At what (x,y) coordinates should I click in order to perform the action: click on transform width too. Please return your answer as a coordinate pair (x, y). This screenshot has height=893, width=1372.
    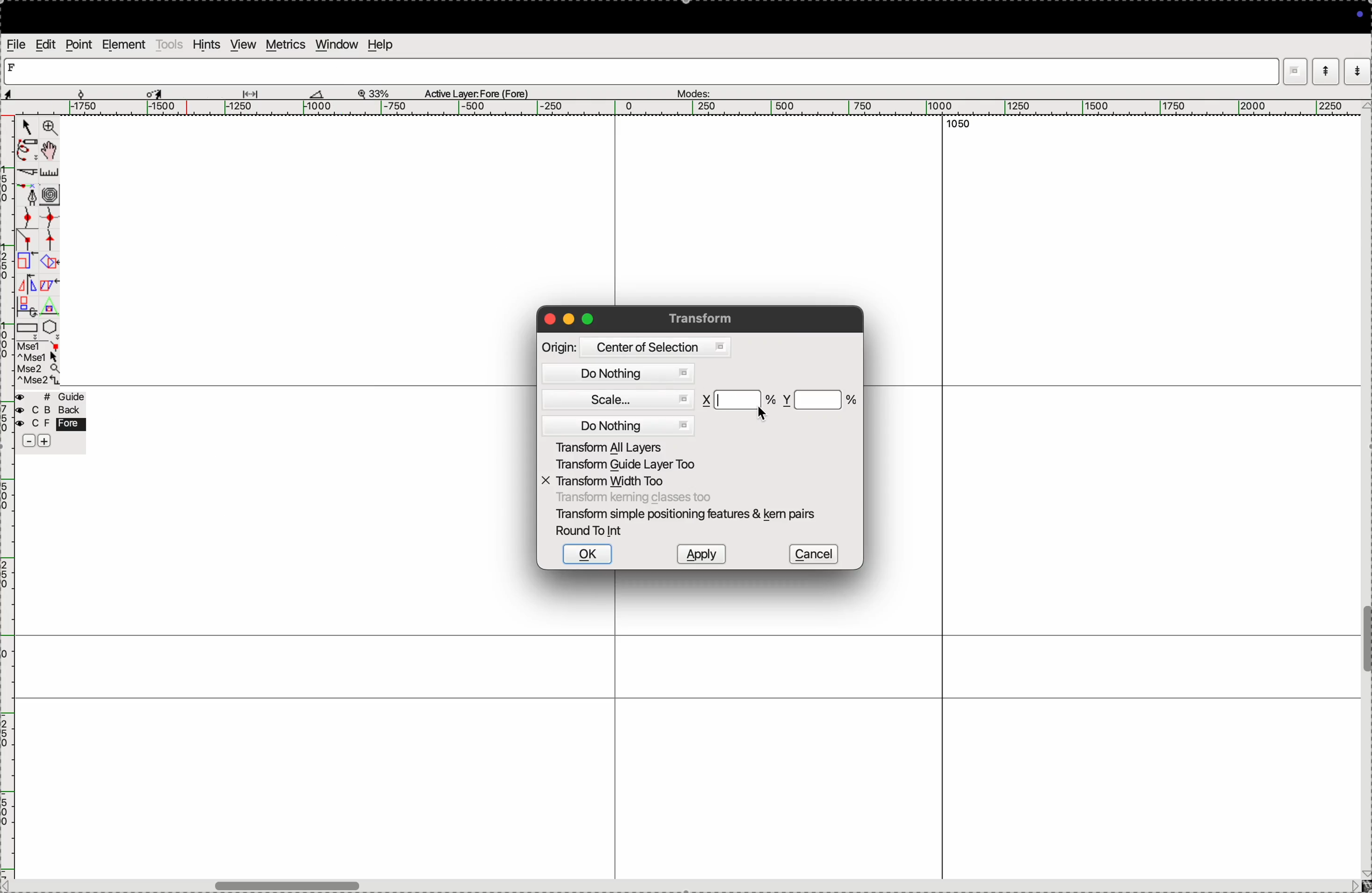
    Looking at the image, I should click on (611, 481).